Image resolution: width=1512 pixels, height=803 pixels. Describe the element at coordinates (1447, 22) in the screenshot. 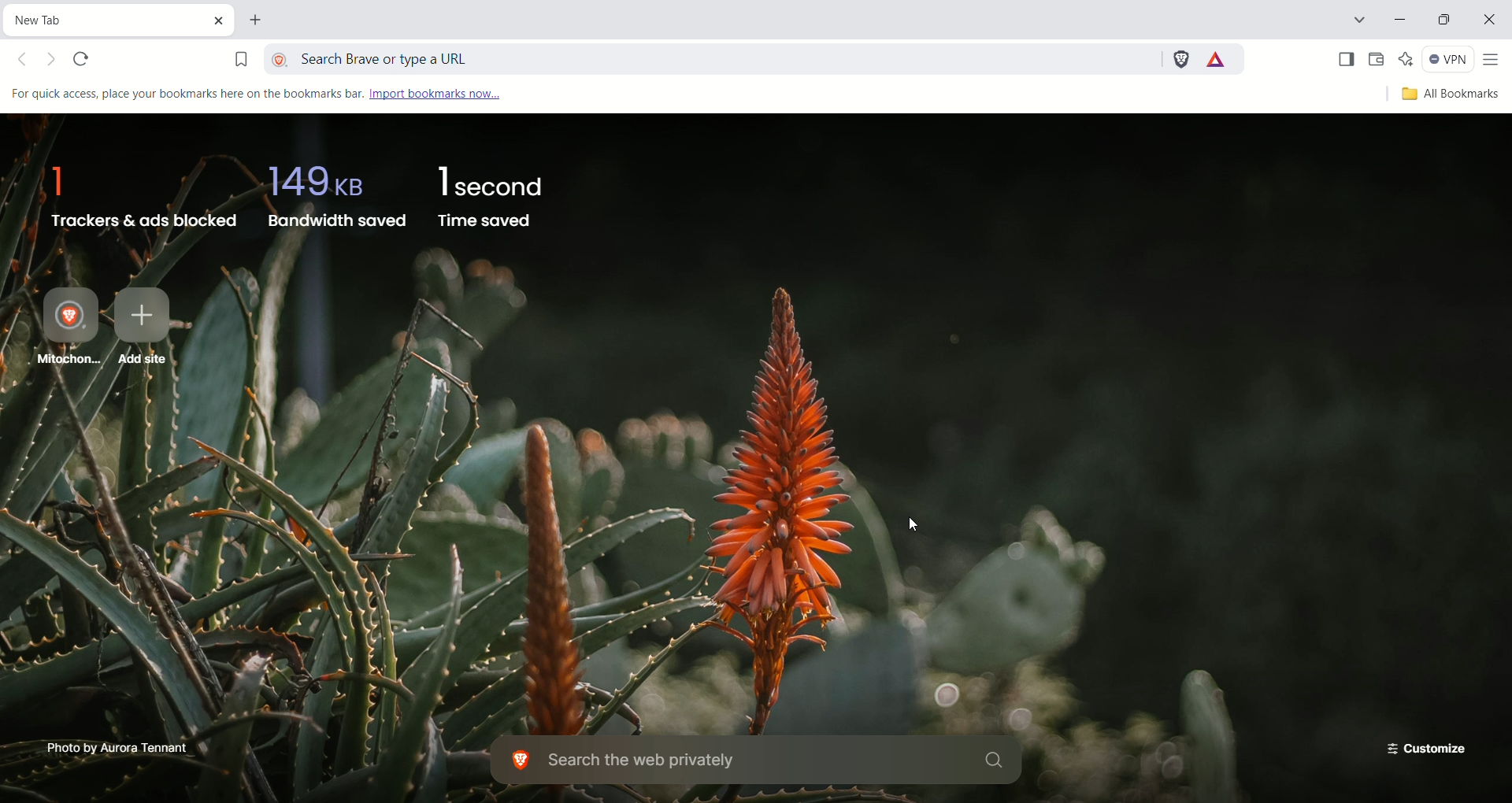

I see `restore down` at that location.